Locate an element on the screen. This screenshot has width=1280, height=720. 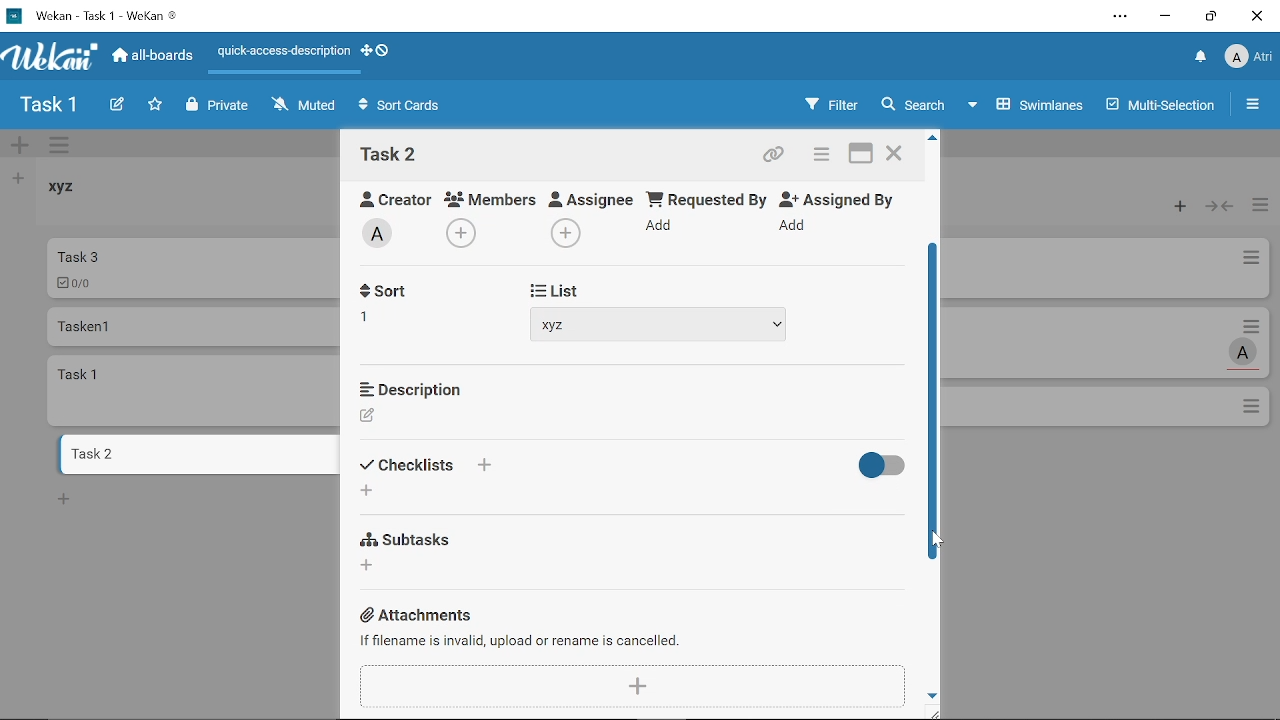
Collapse is located at coordinates (1221, 207).